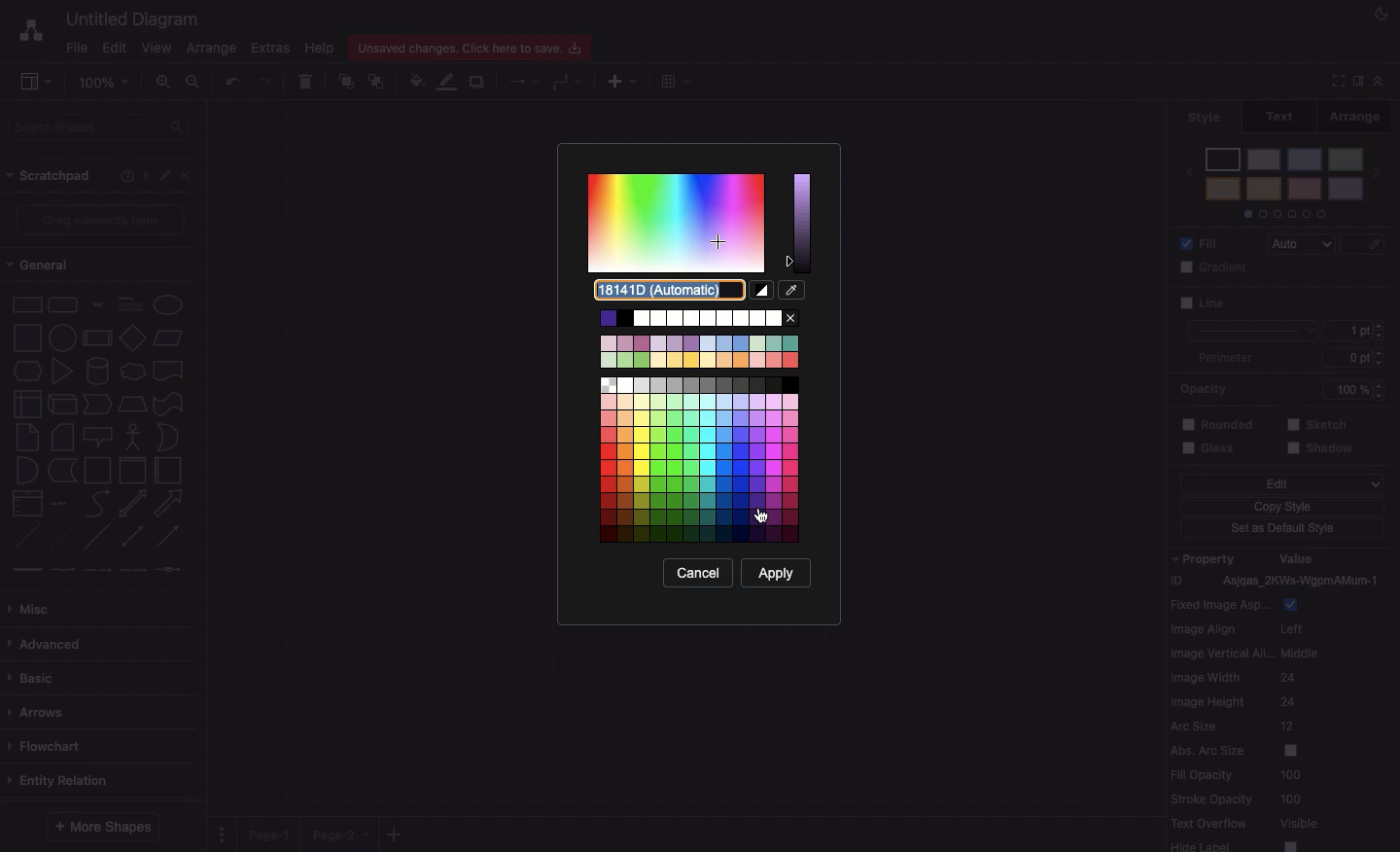  Describe the element at coordinates (41, 710) in the screenshot. I see `Arrows` at that location.